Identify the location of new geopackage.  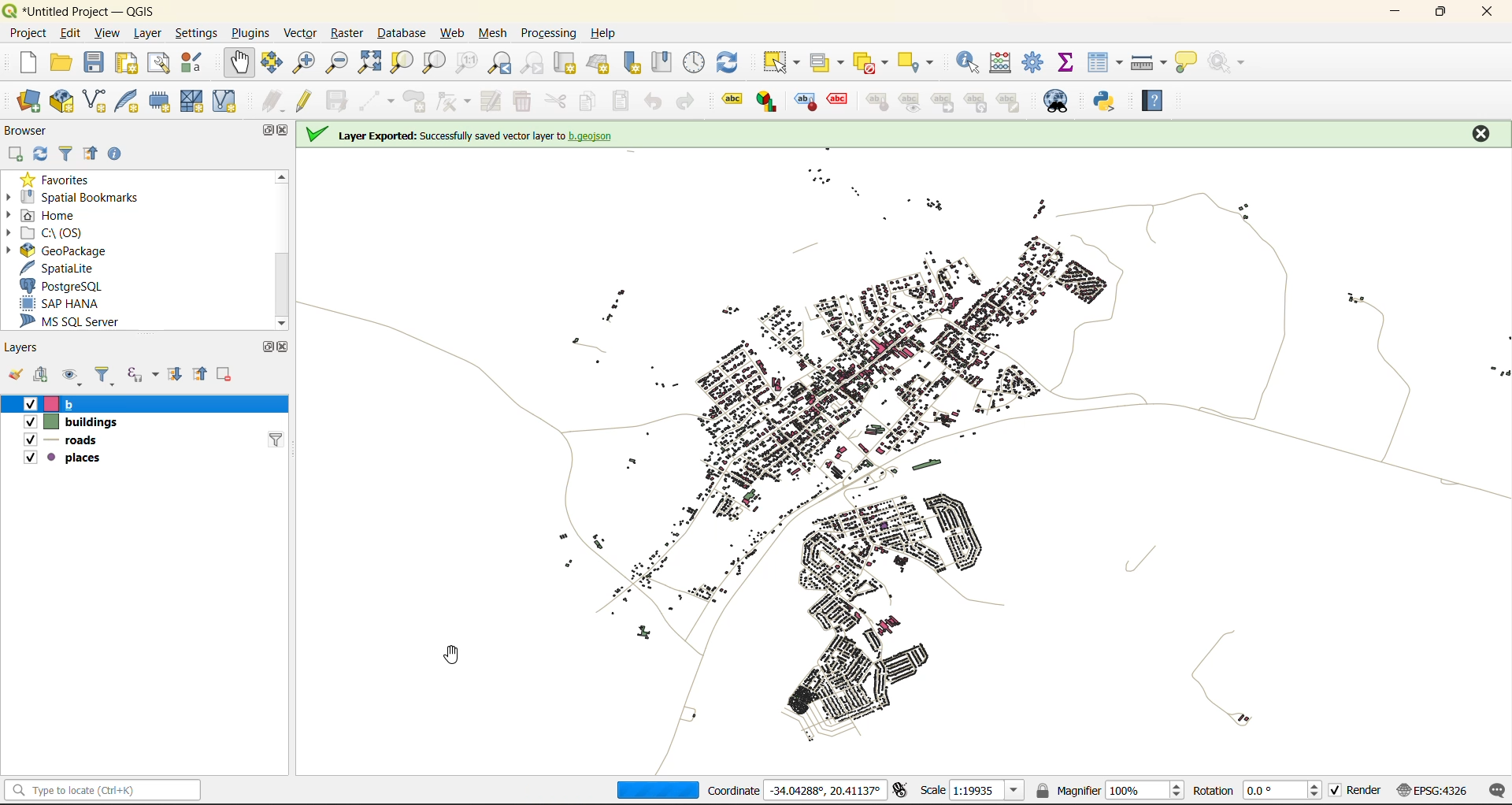
(61, 102).